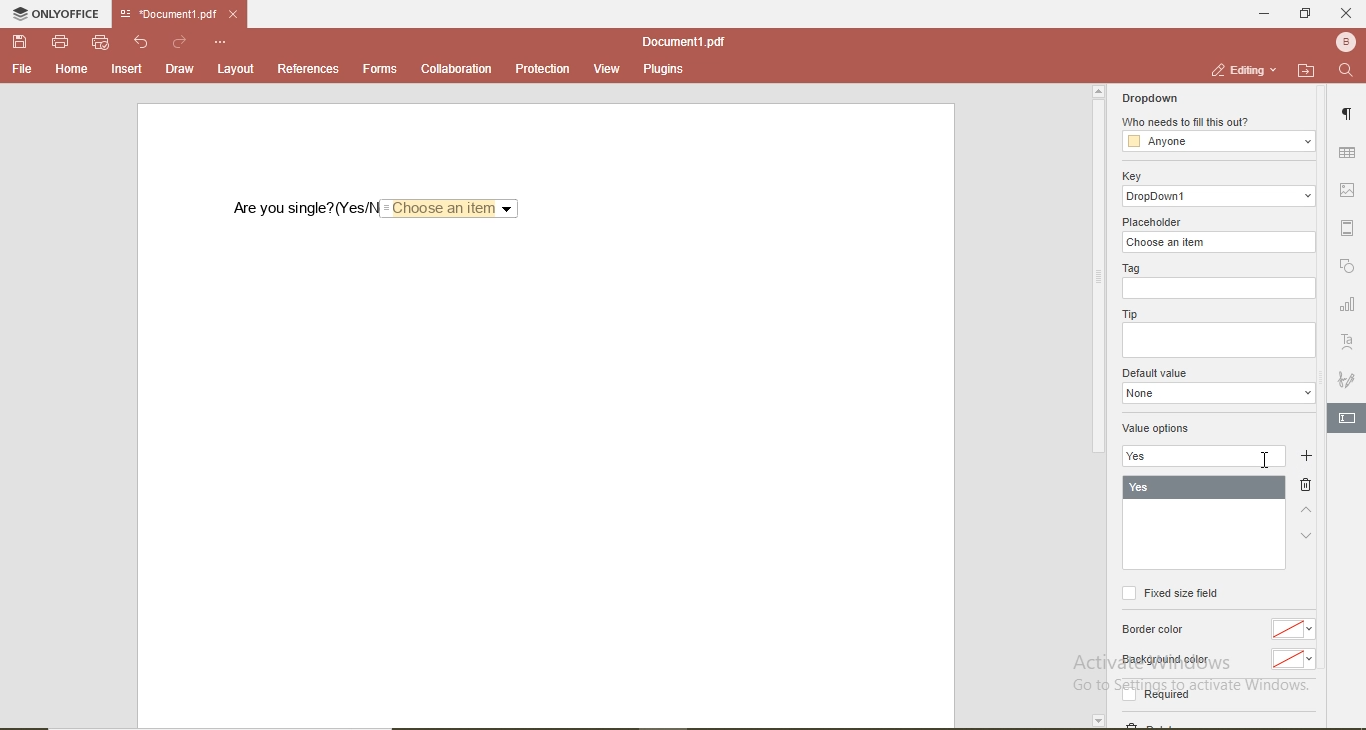  Describe the element at coordinates (1154, 632) in the screenshot. I see `border color` at that location.